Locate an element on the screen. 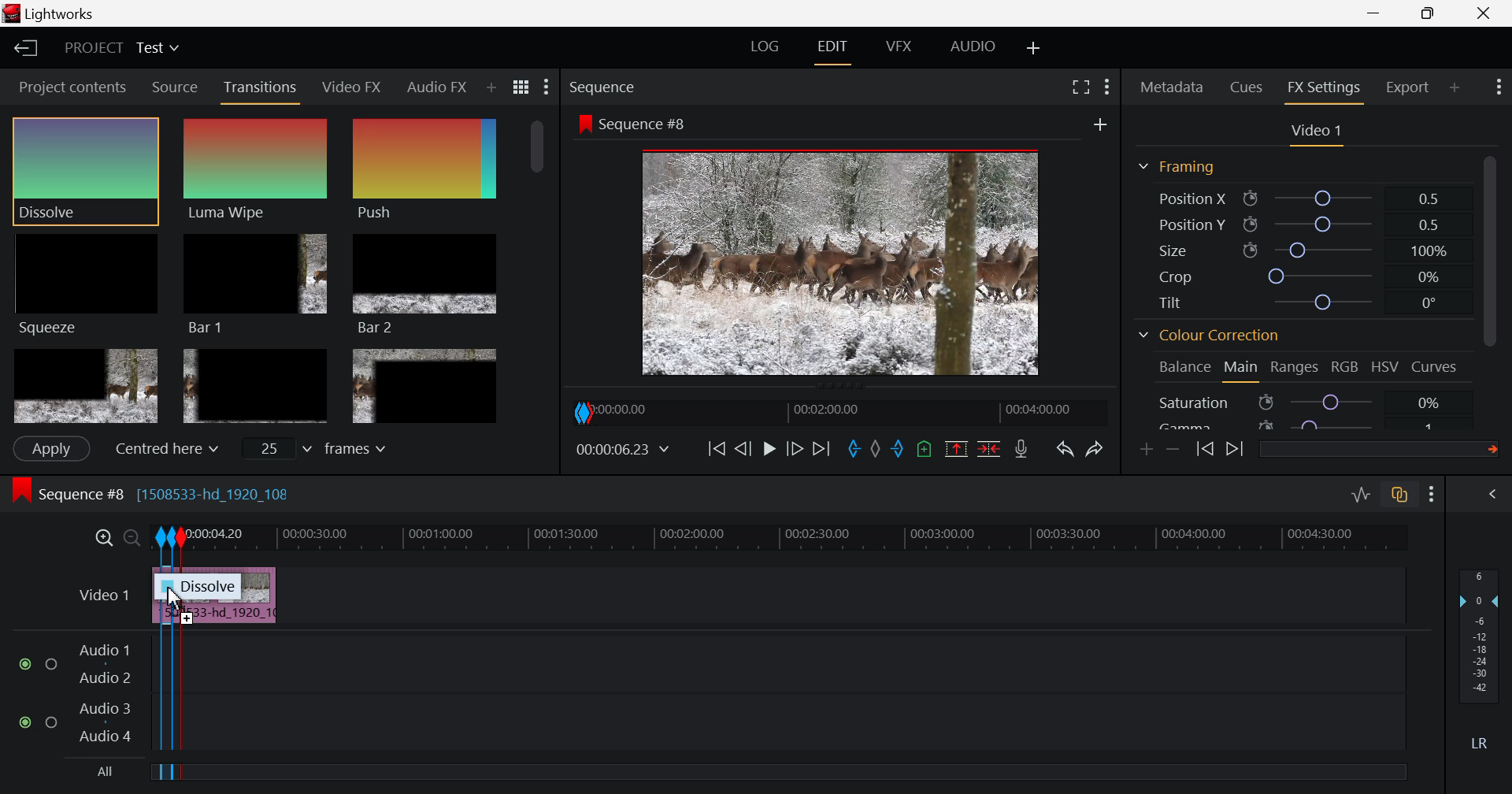 The width and height of the screenshot is (1512, 794). Curves is located at coordinates (1436, 367).